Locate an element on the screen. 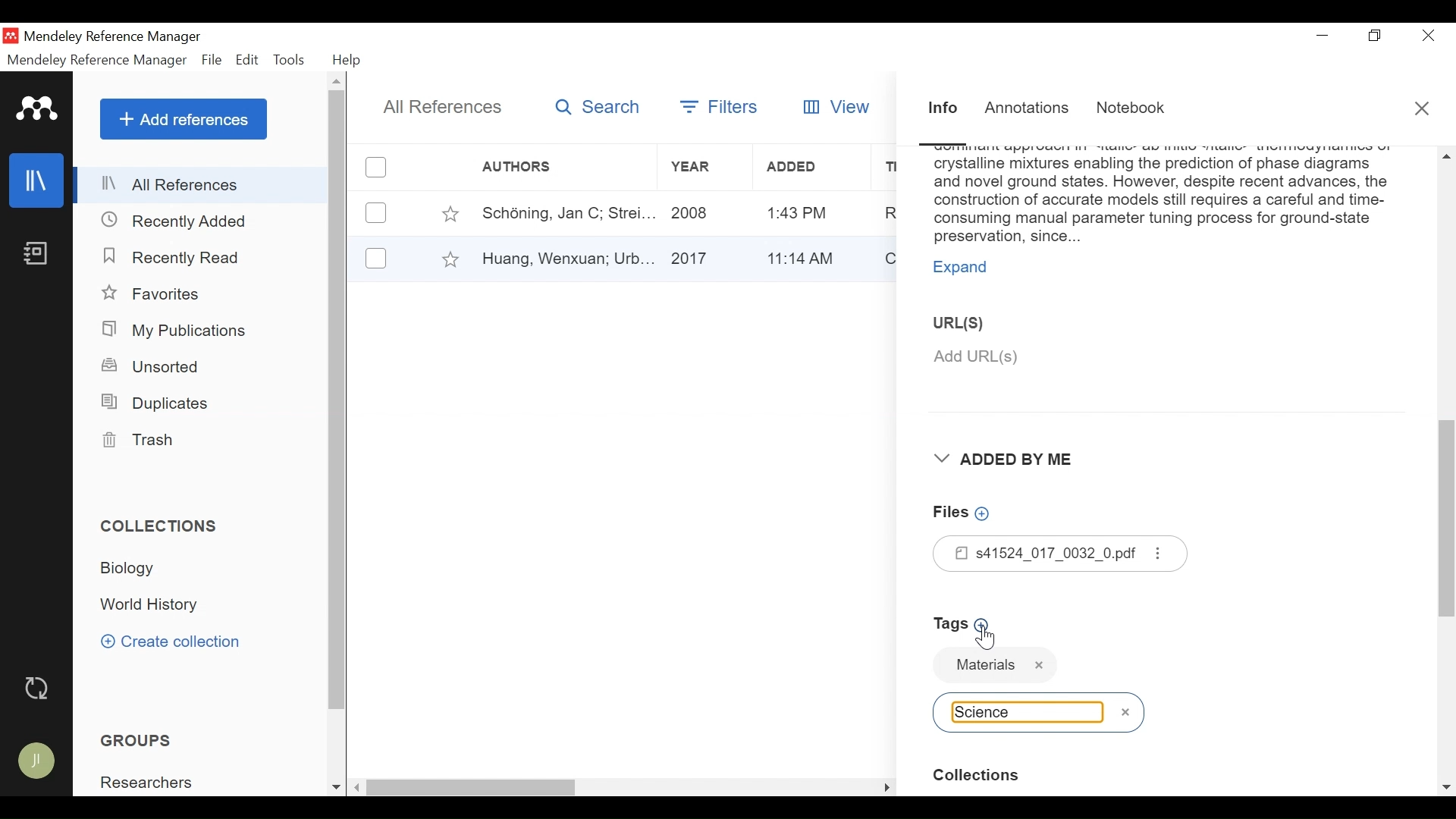  Files is located at coordinates (1062, 554).